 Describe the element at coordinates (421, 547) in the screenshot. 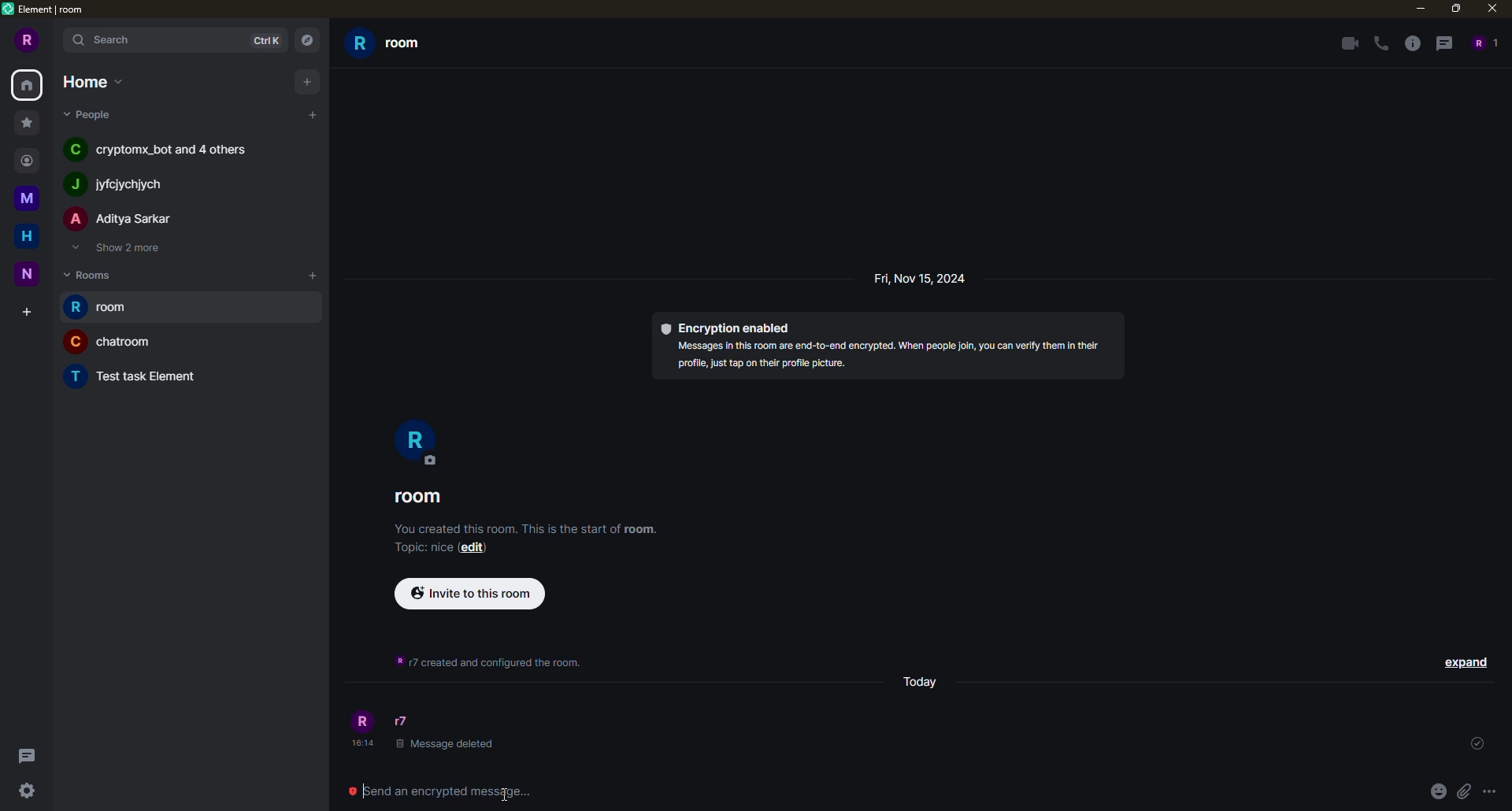

I see `topic` at that location.